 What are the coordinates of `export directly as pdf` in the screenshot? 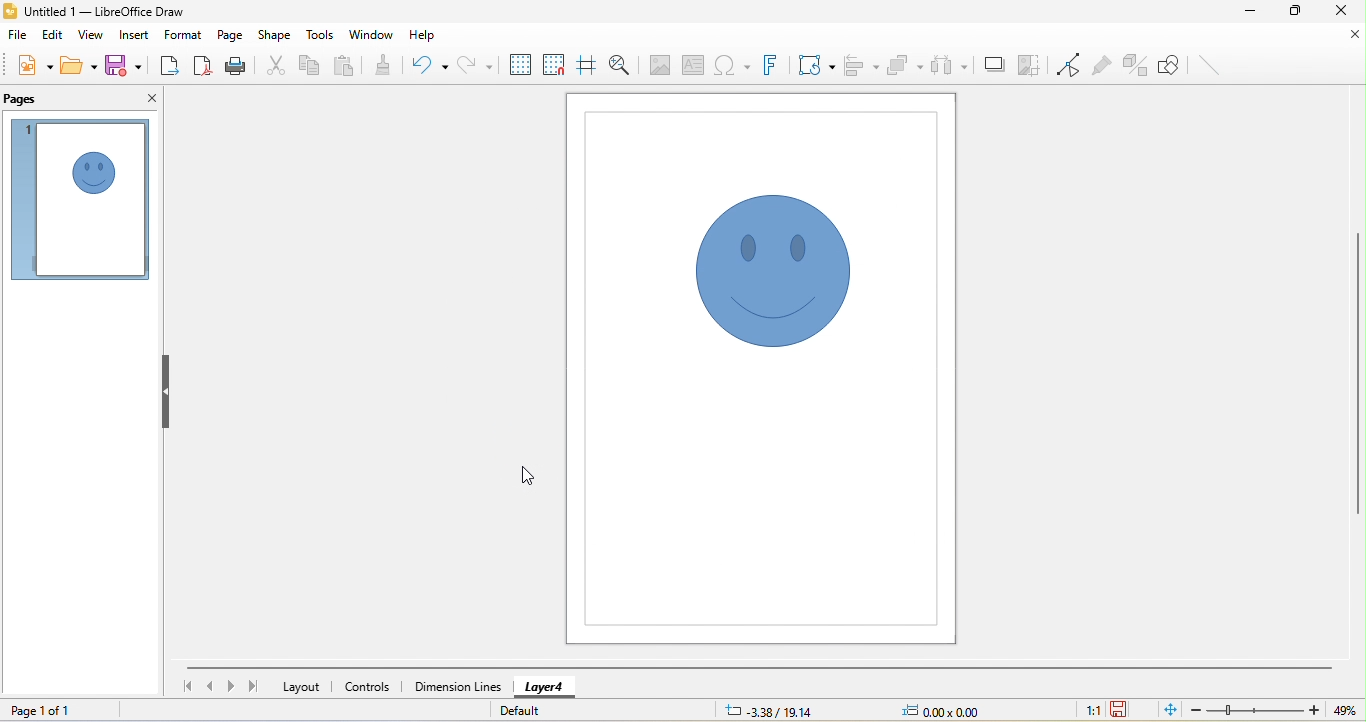 It's located at (204, 64).